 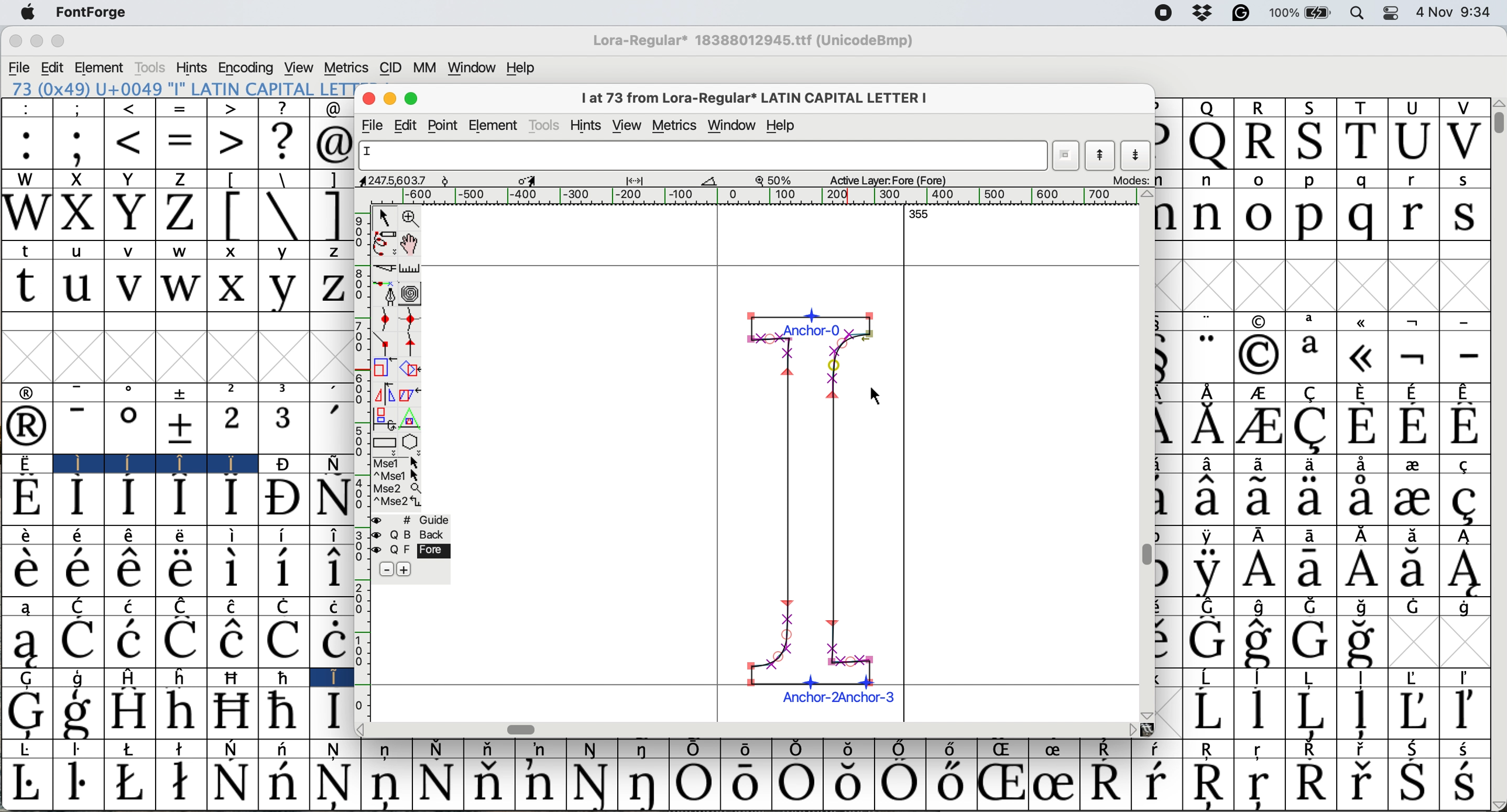 I want to click on :, so click(x=26, y=143).